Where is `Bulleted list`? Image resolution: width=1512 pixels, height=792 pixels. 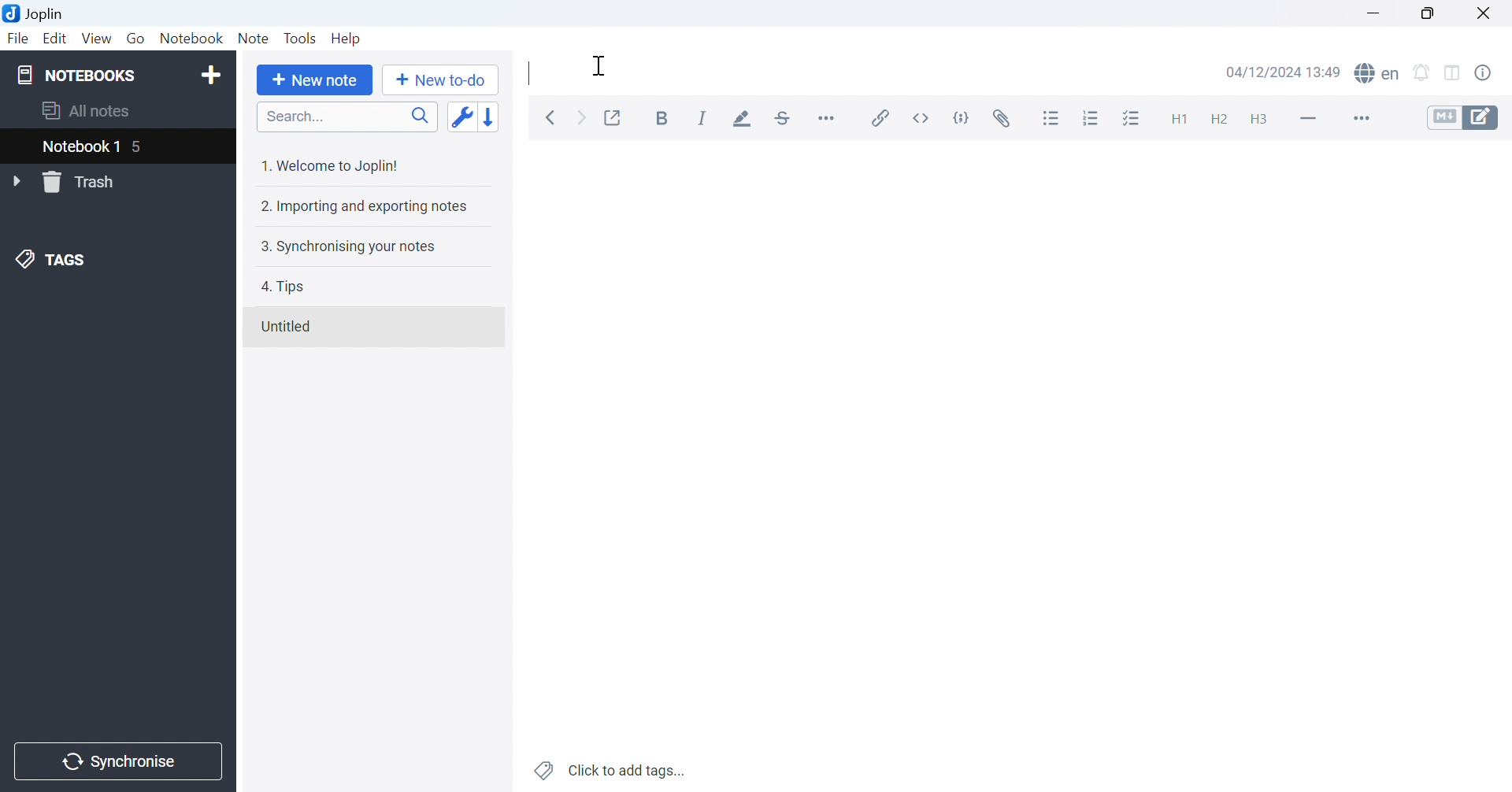 Bulleted list is located at coordinates (1052, 117).